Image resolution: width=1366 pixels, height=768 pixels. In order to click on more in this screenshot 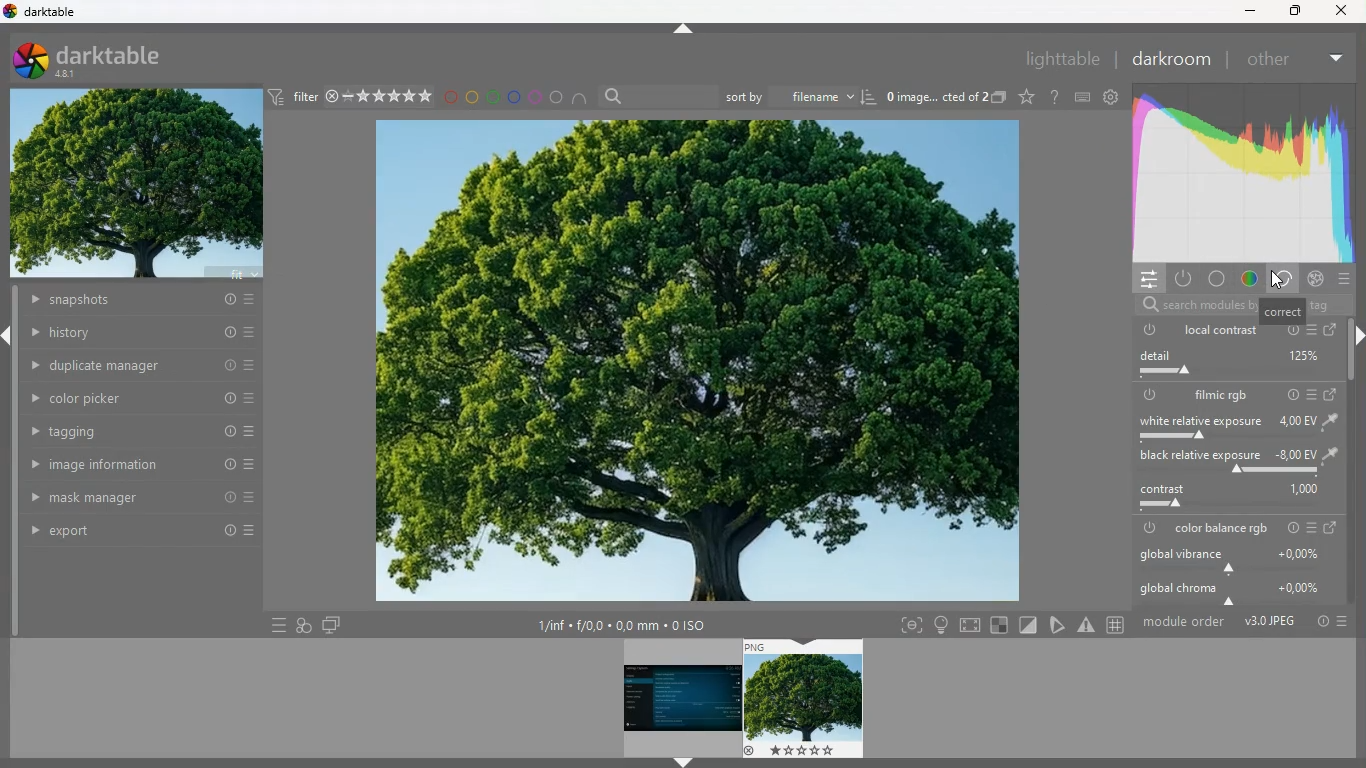, I will do `click(1311, 527)`.